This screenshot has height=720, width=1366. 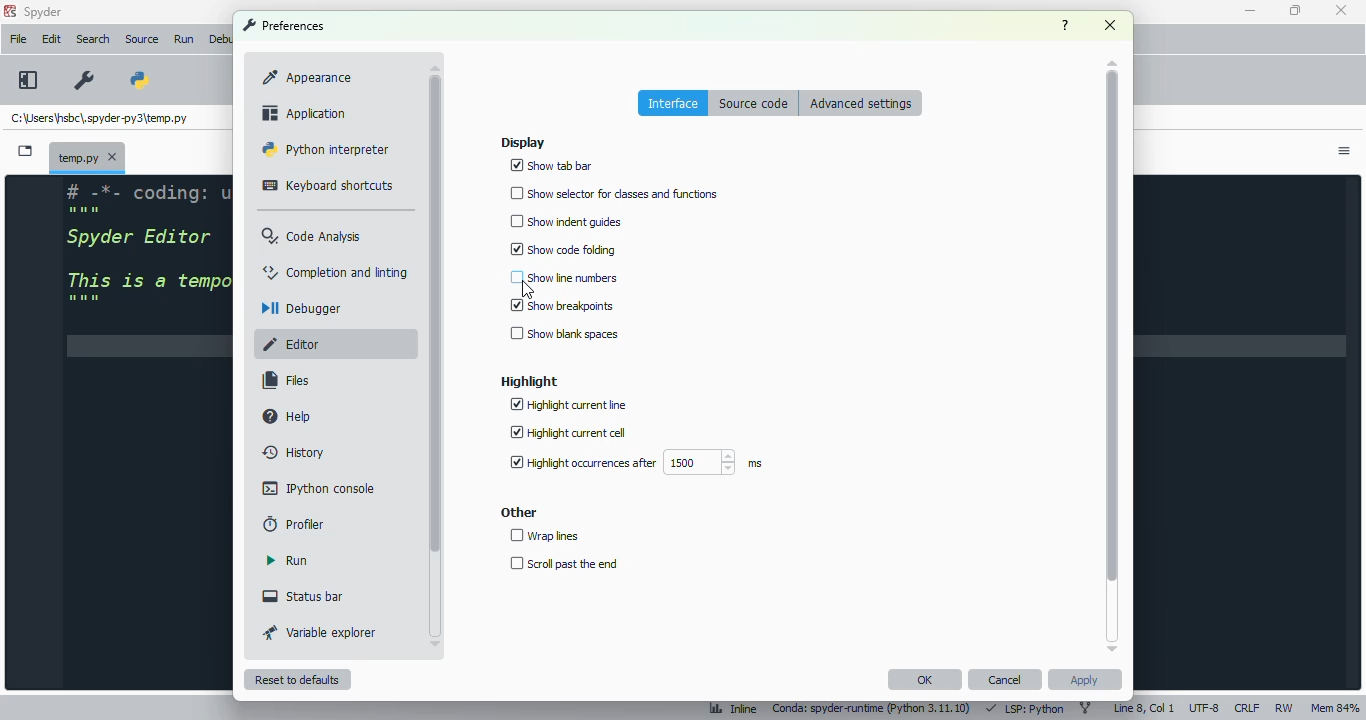 I want to click on OK, so click(x=925, y=680).